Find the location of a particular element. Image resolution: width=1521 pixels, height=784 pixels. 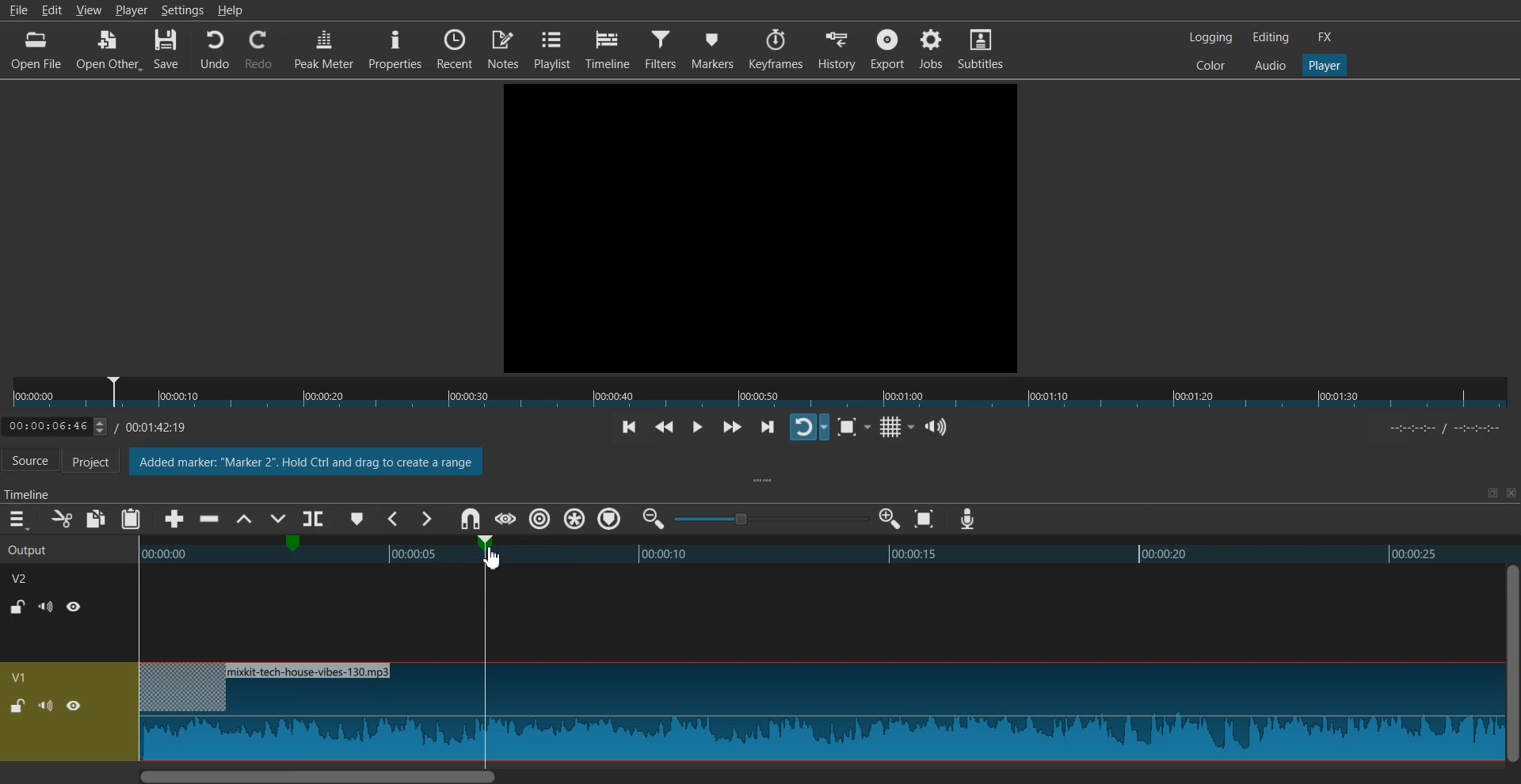

Keyframes is located at coordinates (776, 49).